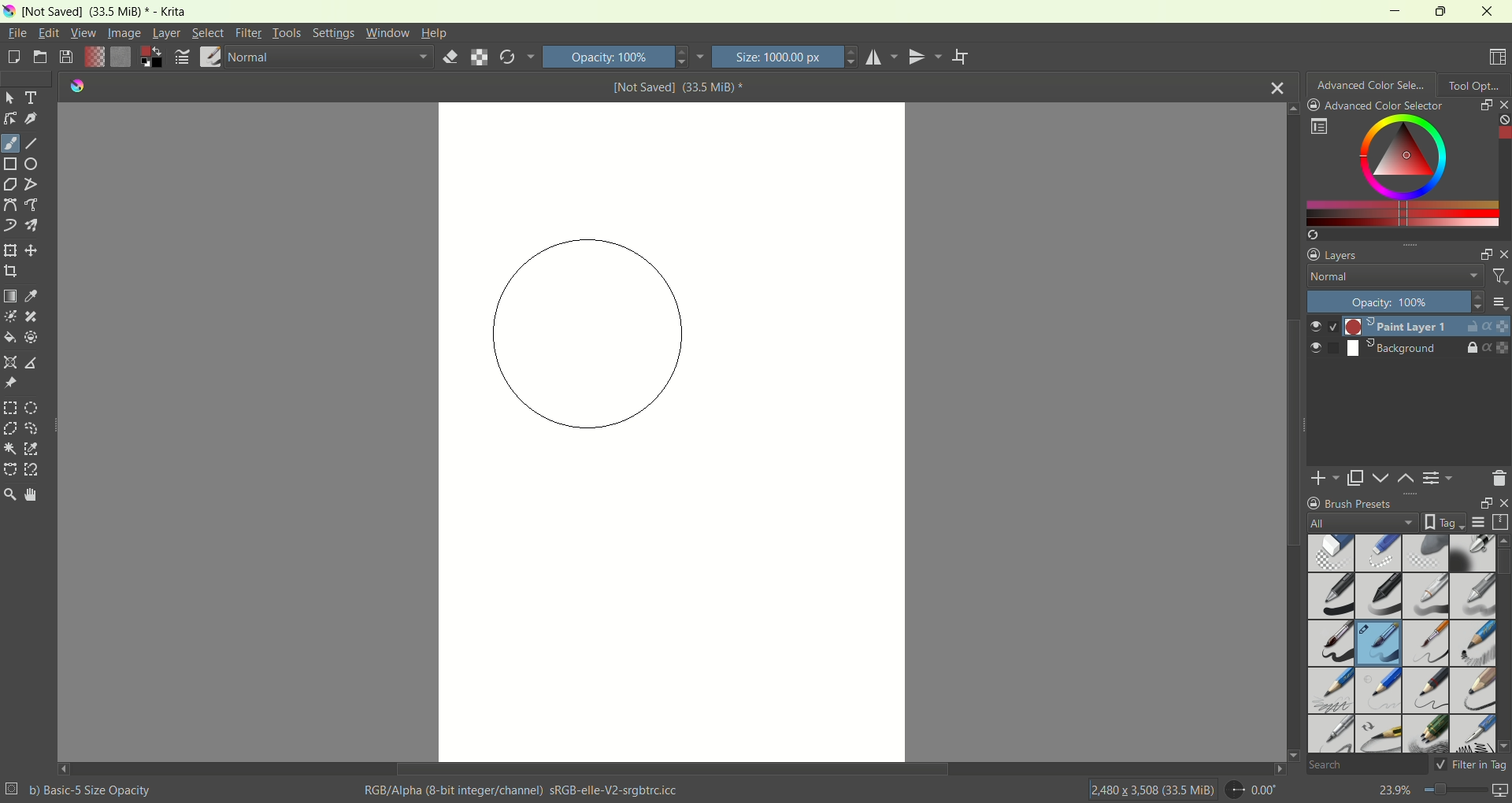 This screenshot has height=803, width=1512. I want to click on Size: 1000.00 px, so click(785, 57).